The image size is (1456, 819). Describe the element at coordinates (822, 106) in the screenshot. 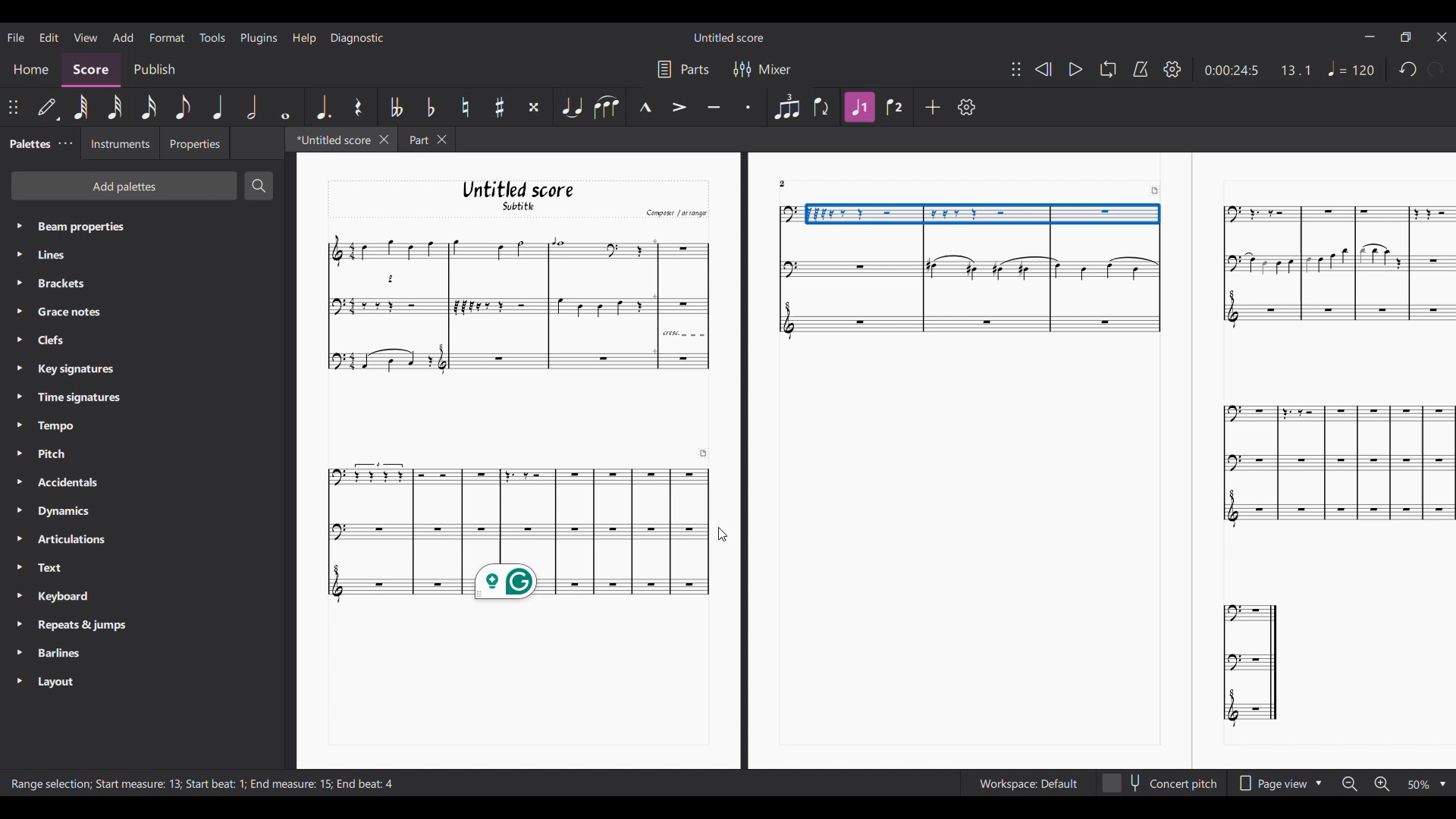

I see `Flip direction` at that location.